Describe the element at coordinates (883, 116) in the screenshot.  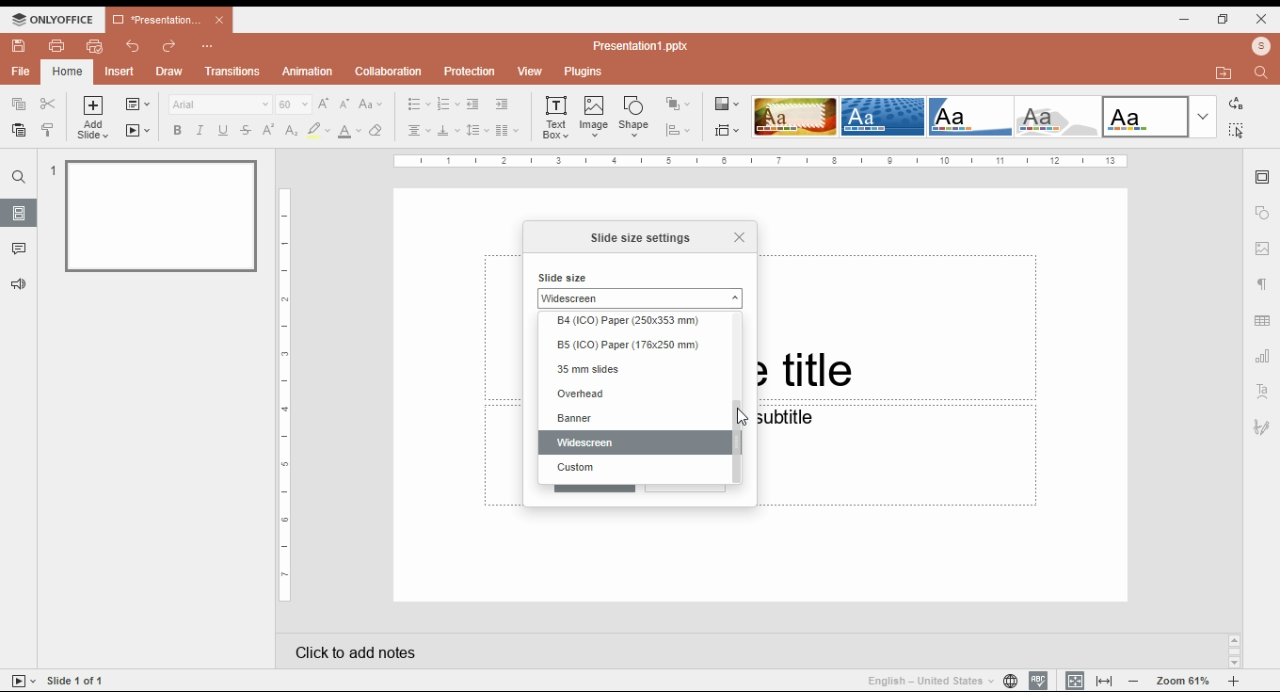
I see `slide them option` at that location.